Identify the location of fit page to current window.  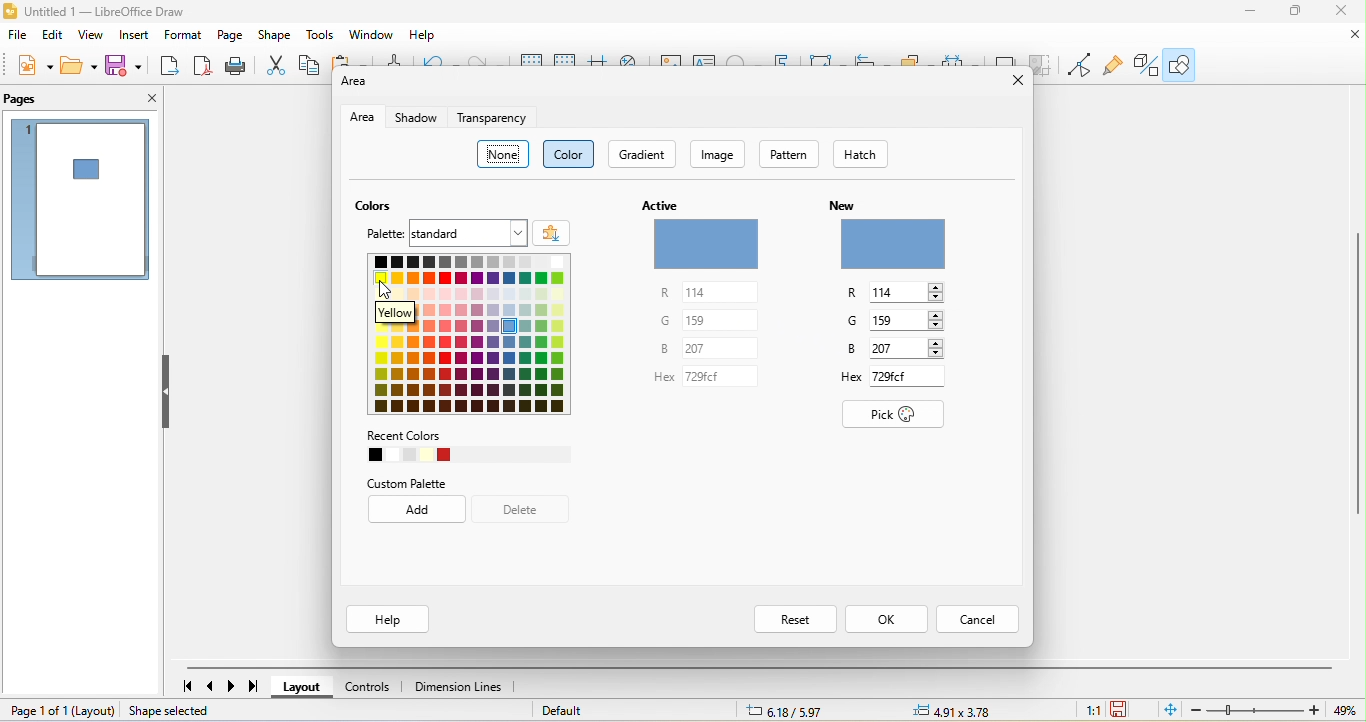
(1167, 711).